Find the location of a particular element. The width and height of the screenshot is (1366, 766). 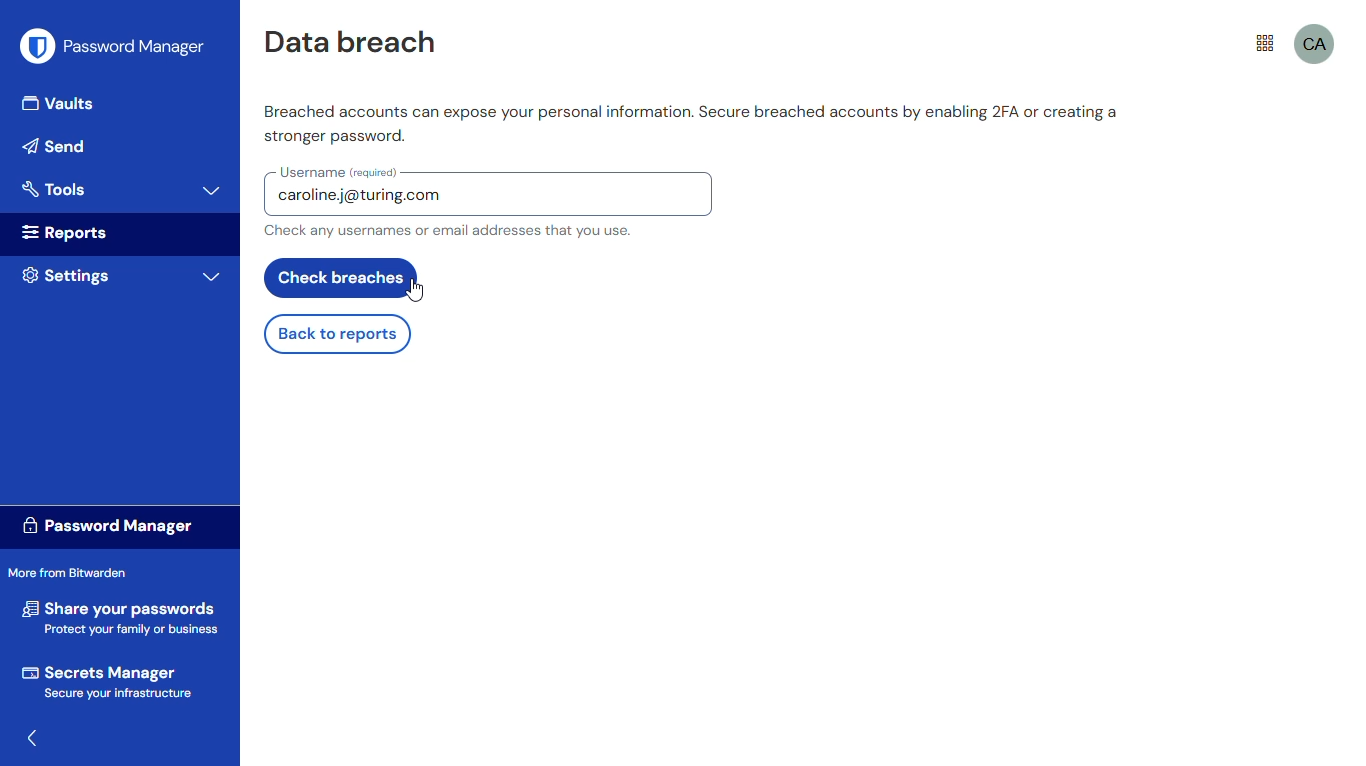

check breaches is located at coordinates (341, 278).